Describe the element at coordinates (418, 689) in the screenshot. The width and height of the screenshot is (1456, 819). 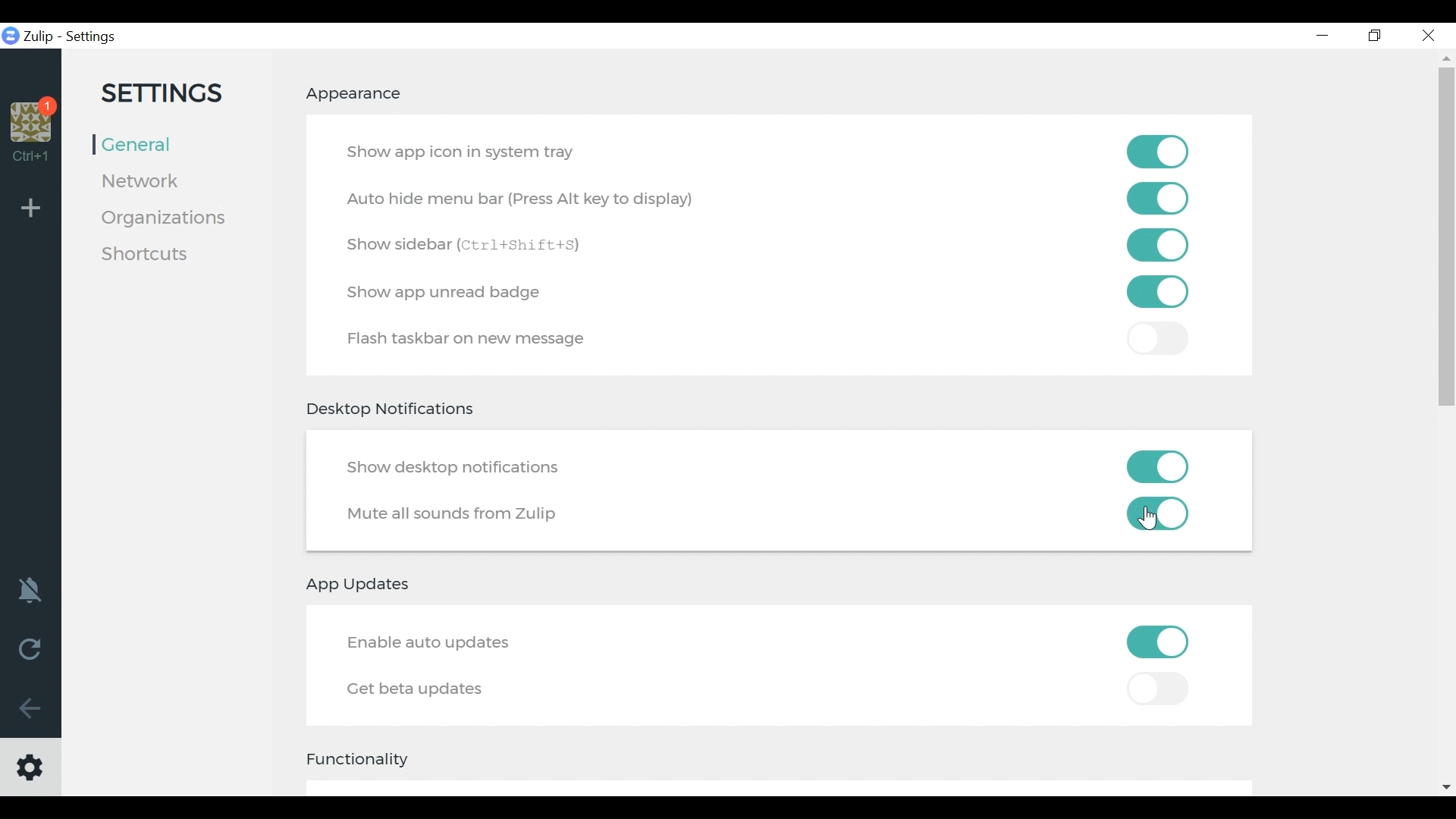
I see `Get better updates` at that location.